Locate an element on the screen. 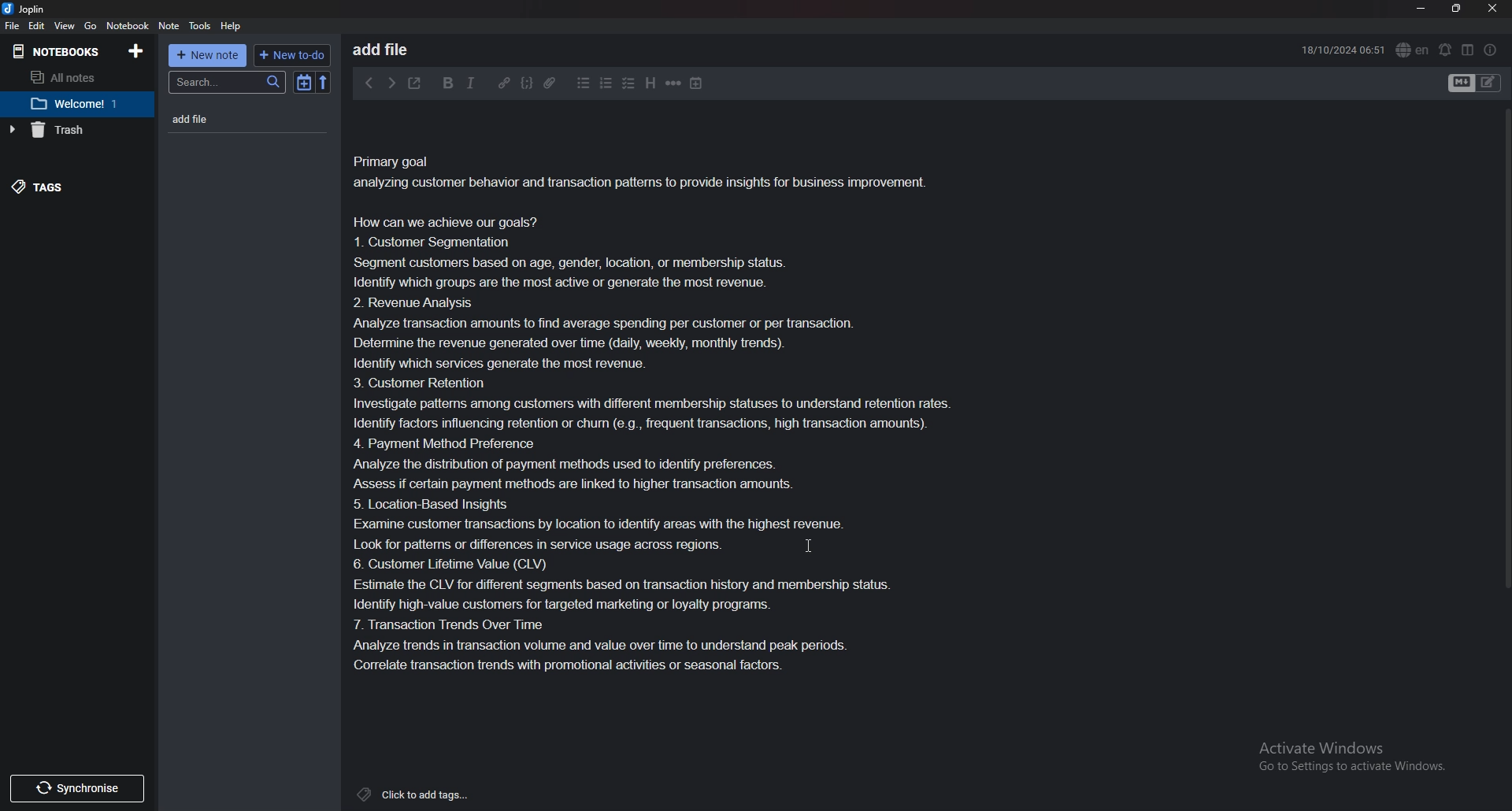 The height and width of the screenshot is (811, 1512). Scroll bar is located at coordinates (1505, 349).